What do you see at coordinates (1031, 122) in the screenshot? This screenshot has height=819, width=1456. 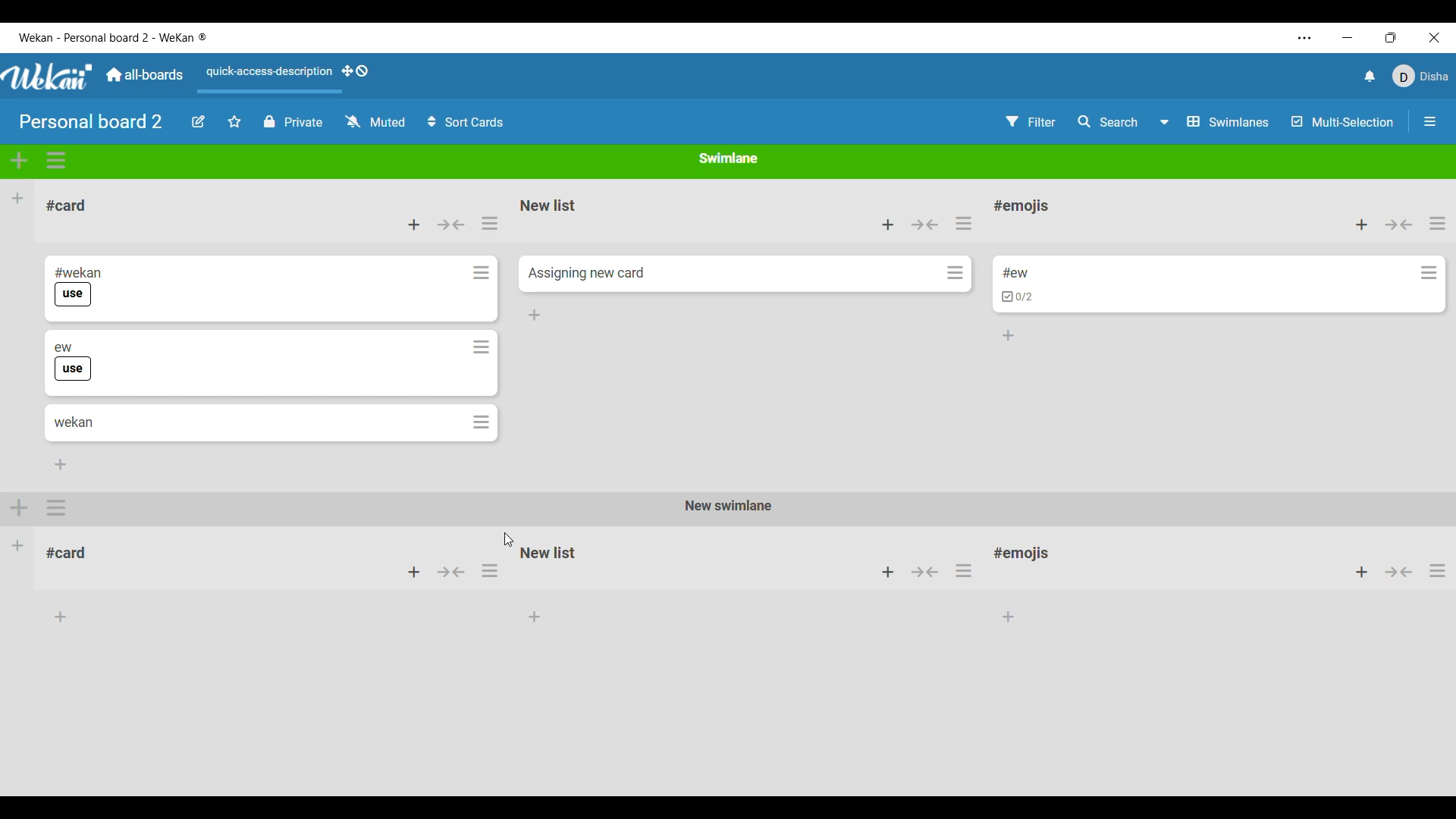 I see `Filter` at bounding box center [1031, 122].